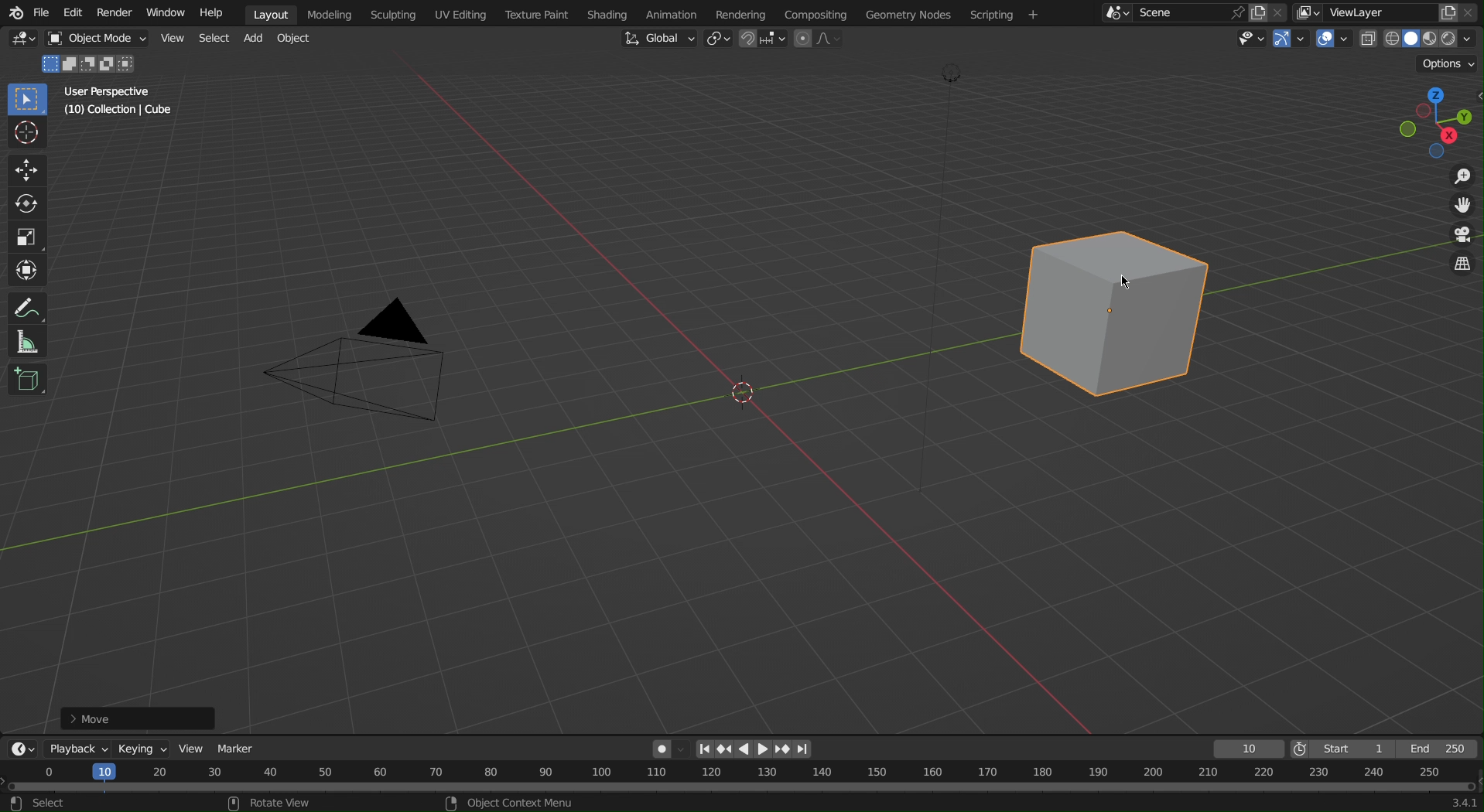 This screenshot has width=1484, height=812. I want to click on Add, so click(254, 39).